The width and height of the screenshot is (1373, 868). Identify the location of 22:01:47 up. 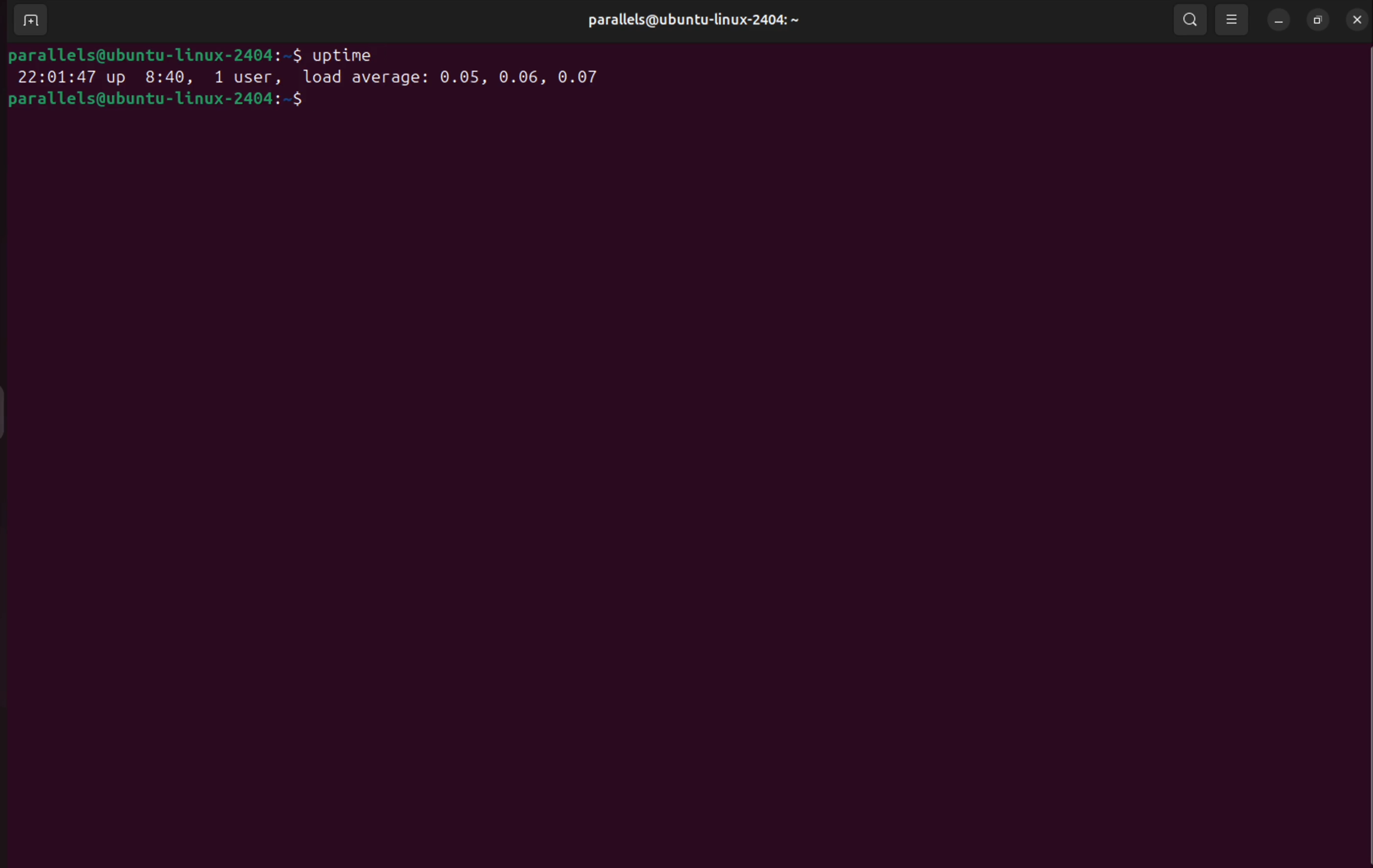
(67, 77).